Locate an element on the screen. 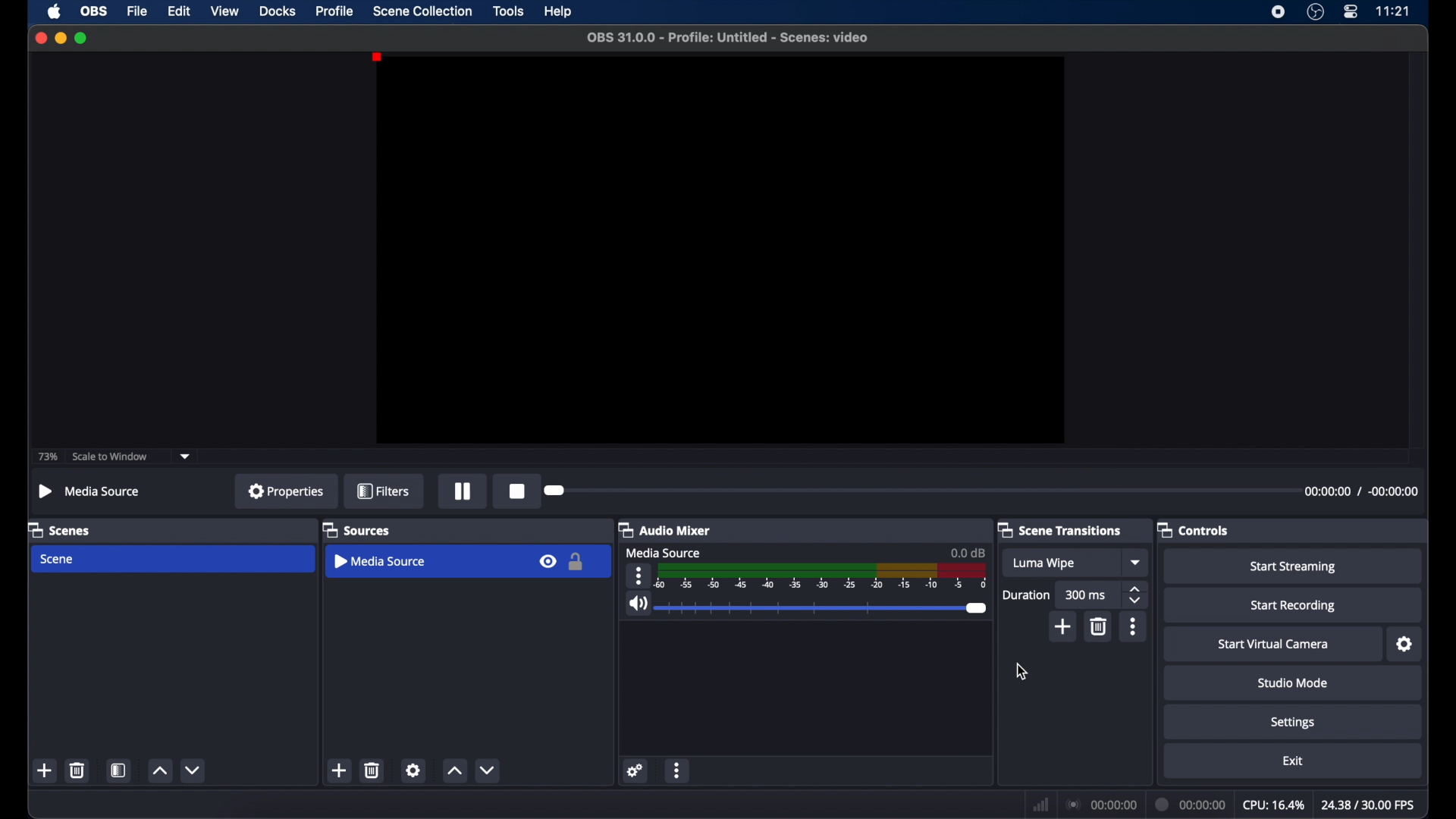  media source is located at coordinates (383, 560).